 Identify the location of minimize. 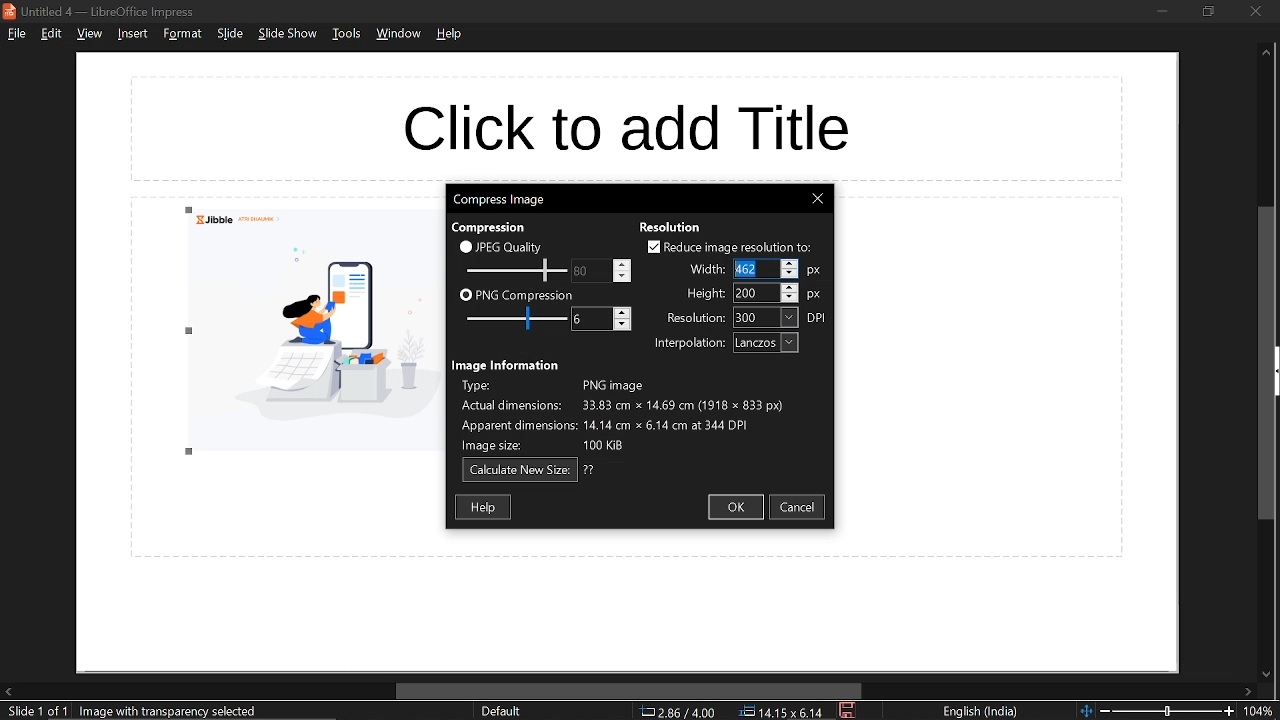
(1162, 10).